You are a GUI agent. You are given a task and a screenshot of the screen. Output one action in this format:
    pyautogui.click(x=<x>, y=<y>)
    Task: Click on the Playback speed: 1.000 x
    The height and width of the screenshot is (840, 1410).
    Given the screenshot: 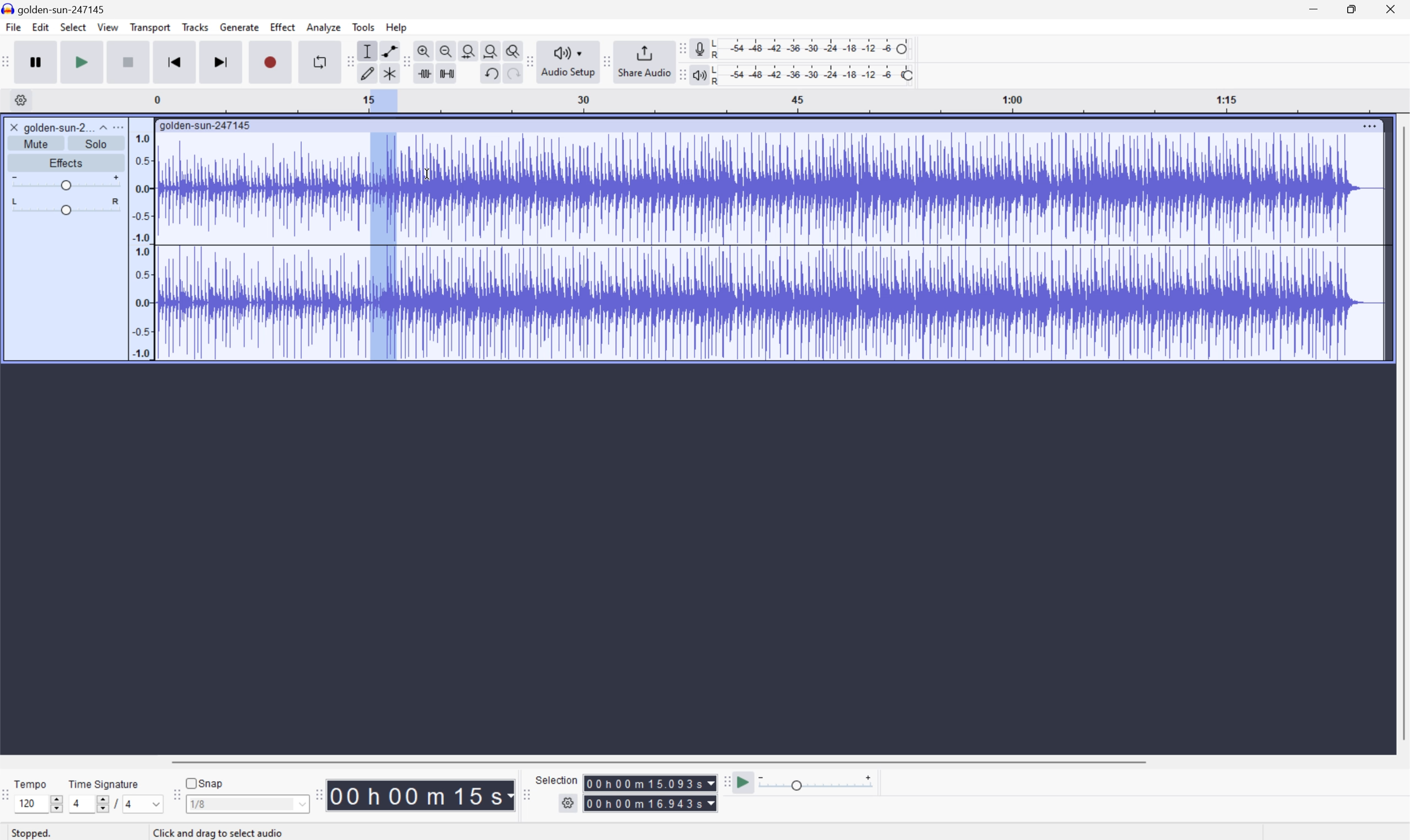 What is the action you would take?
    pyautogui.click(x=818, y=783)
    